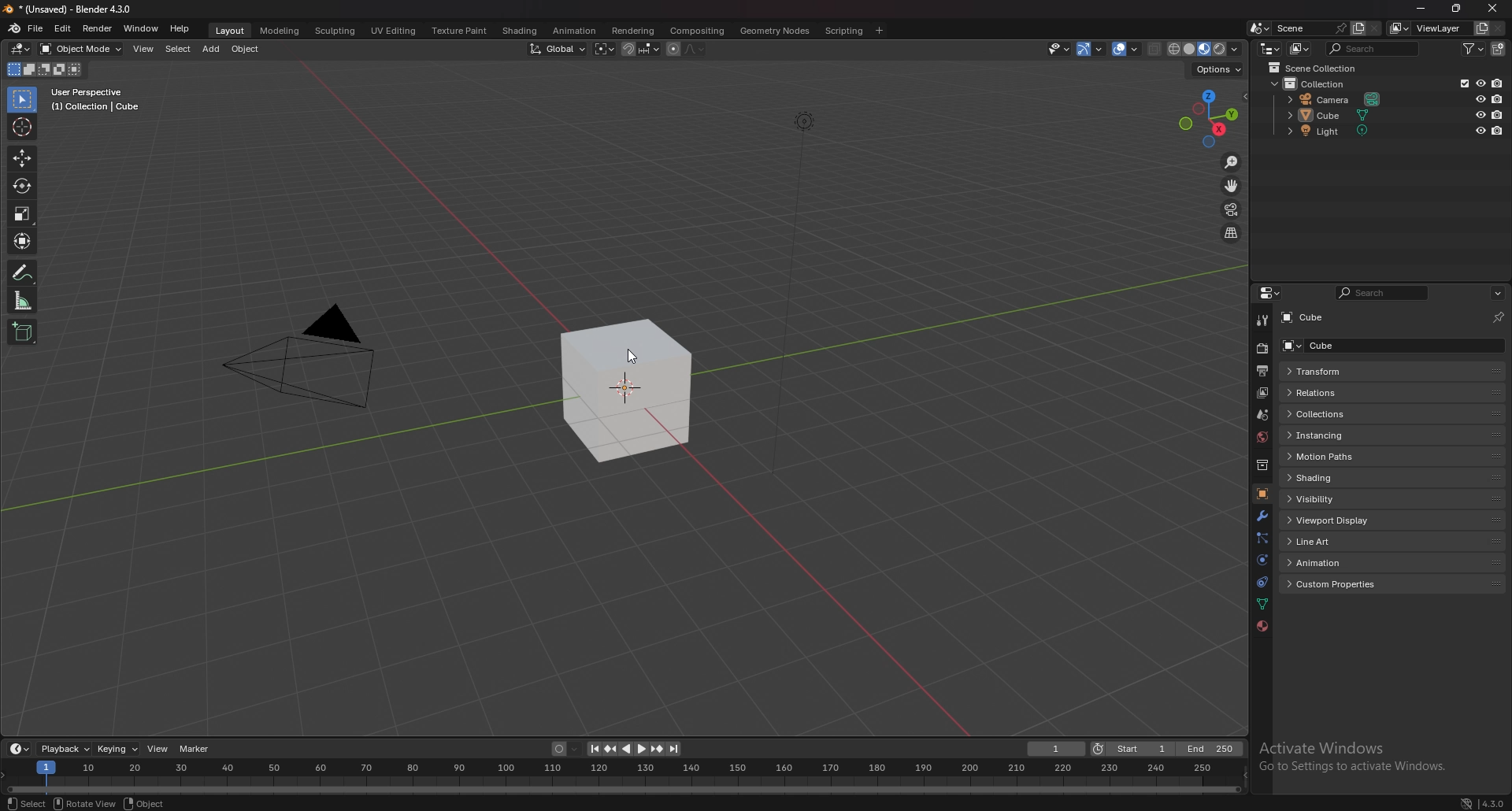  Describe the element at coordinates (776, 30) in the screenshot. I see `geometry nodes` at that location.